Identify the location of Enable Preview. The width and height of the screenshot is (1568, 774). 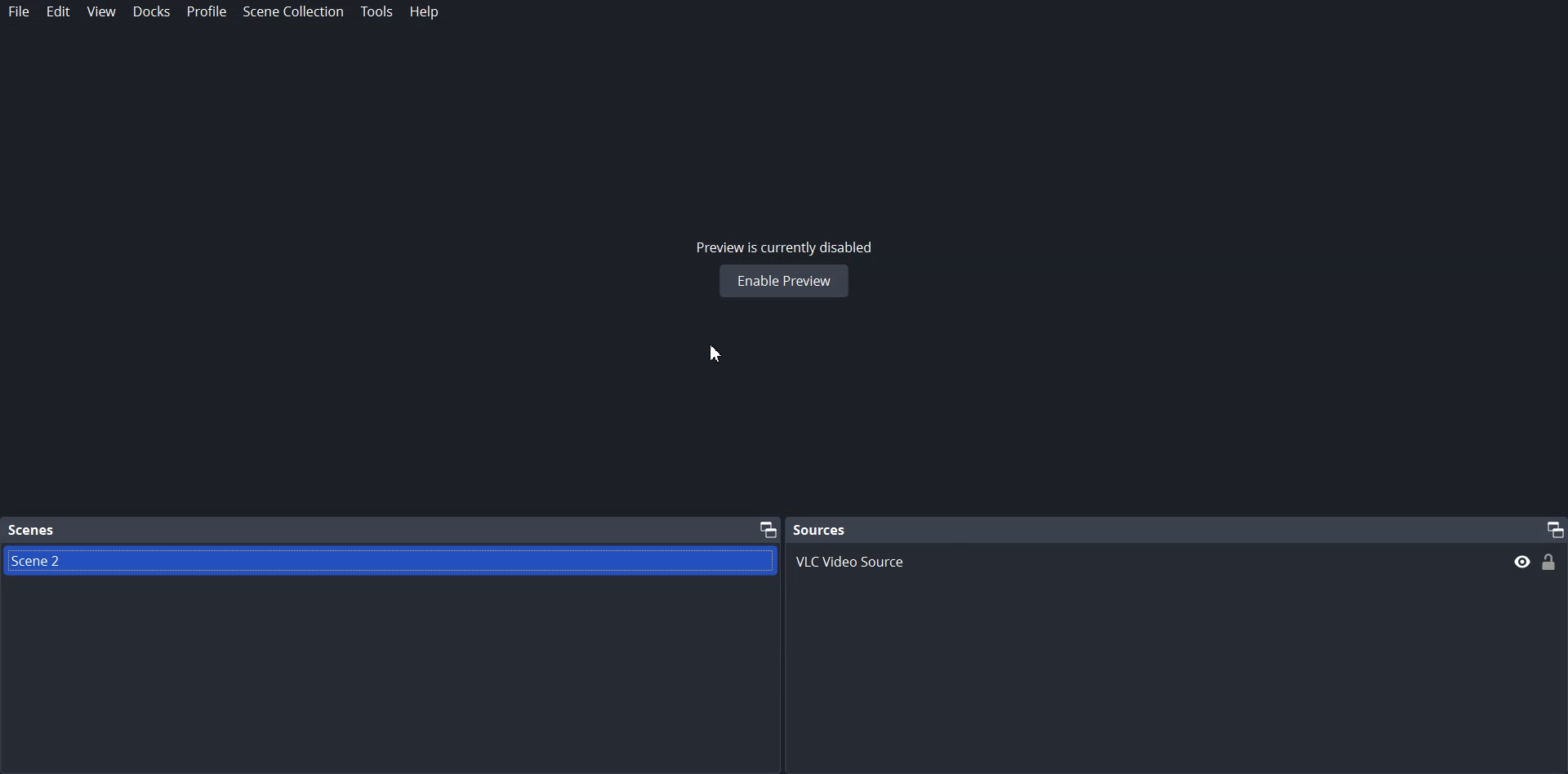
(786, 282).